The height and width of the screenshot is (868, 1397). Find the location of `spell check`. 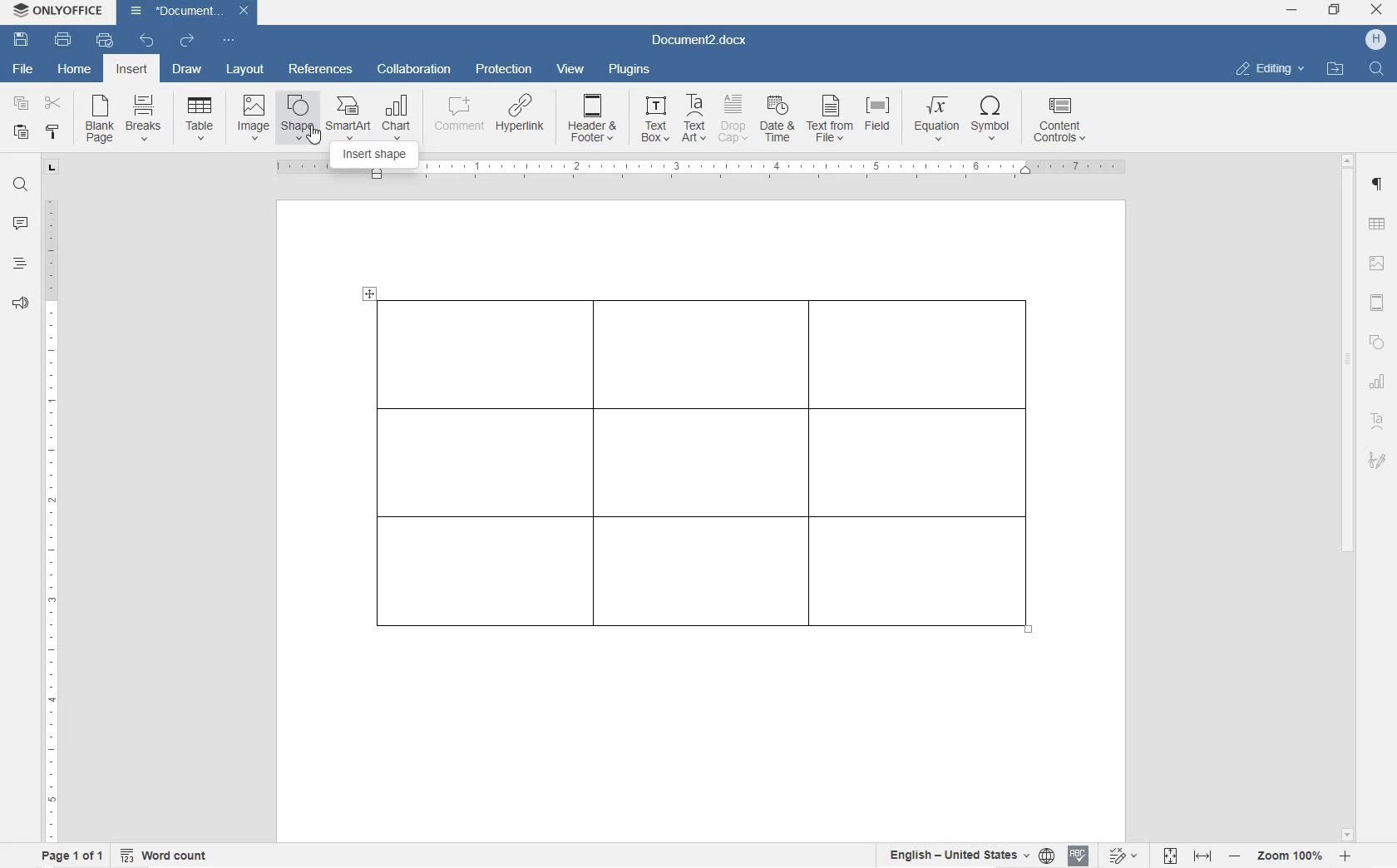

spell check is located at coordinates (1079, 857).